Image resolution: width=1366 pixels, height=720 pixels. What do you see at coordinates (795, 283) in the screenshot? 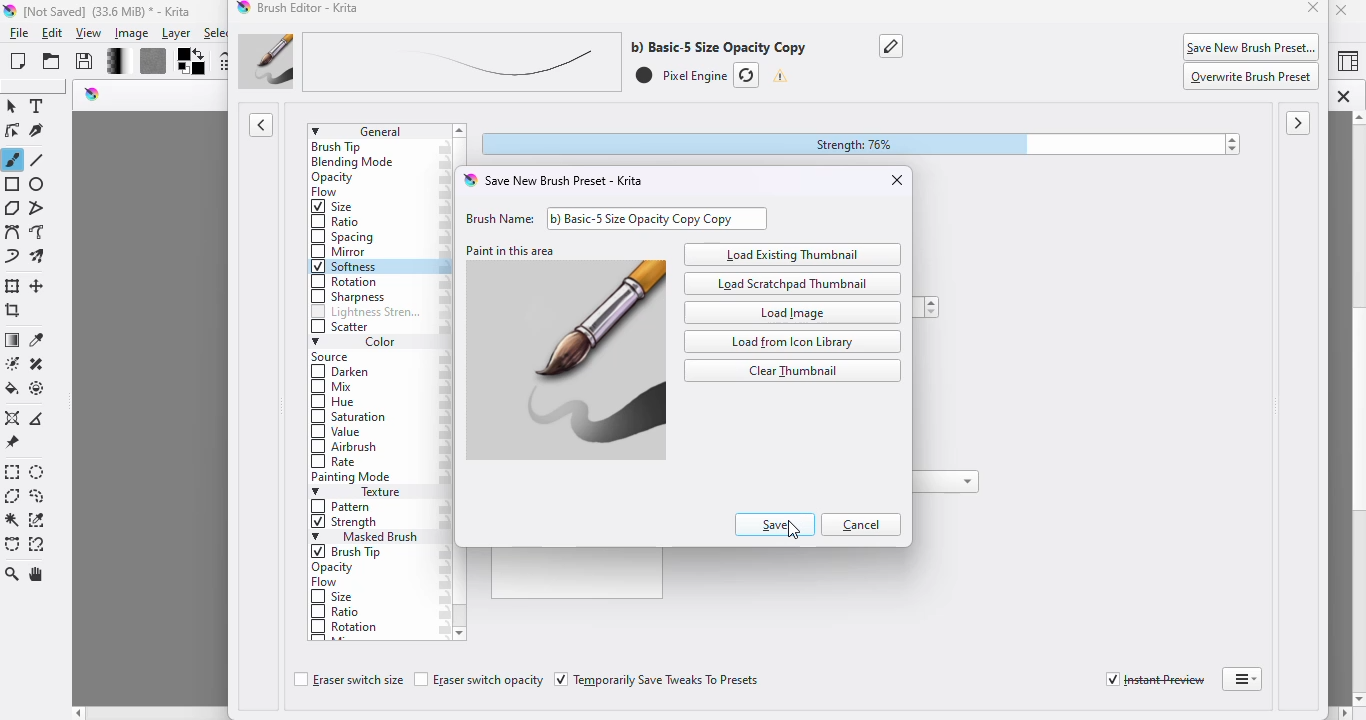
I see `load scratchpad thumbnail` at bounding box center [795, 283].